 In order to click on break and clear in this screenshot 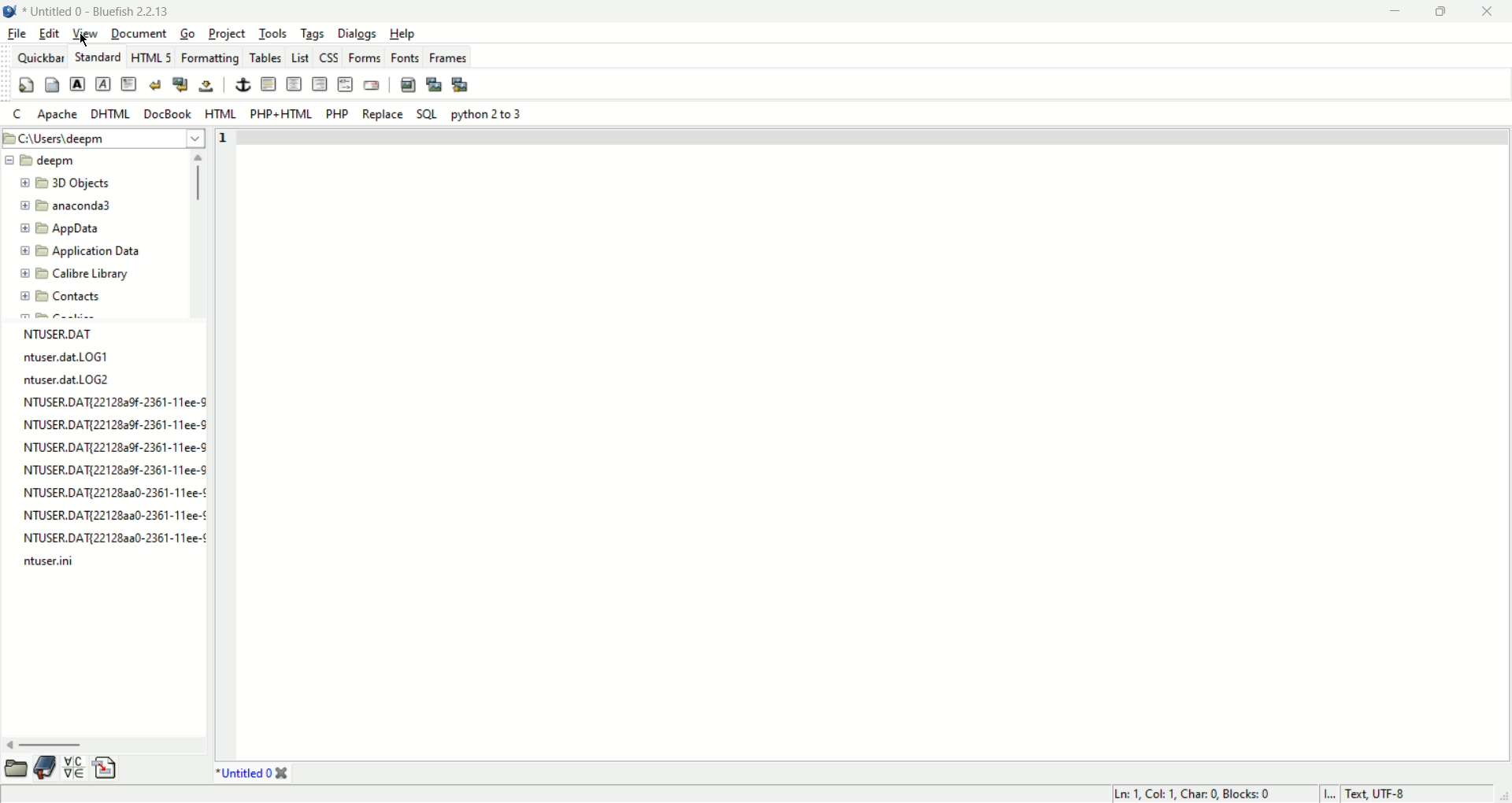, I will do `click(180, 85)`.